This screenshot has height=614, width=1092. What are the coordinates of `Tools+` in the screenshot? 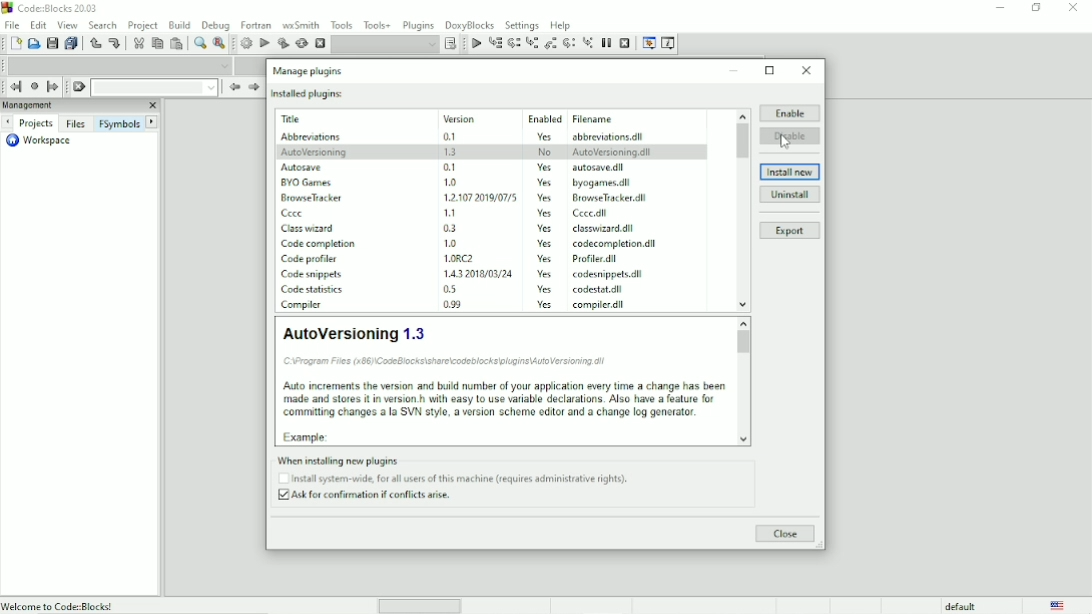 It's located at (377, 24).